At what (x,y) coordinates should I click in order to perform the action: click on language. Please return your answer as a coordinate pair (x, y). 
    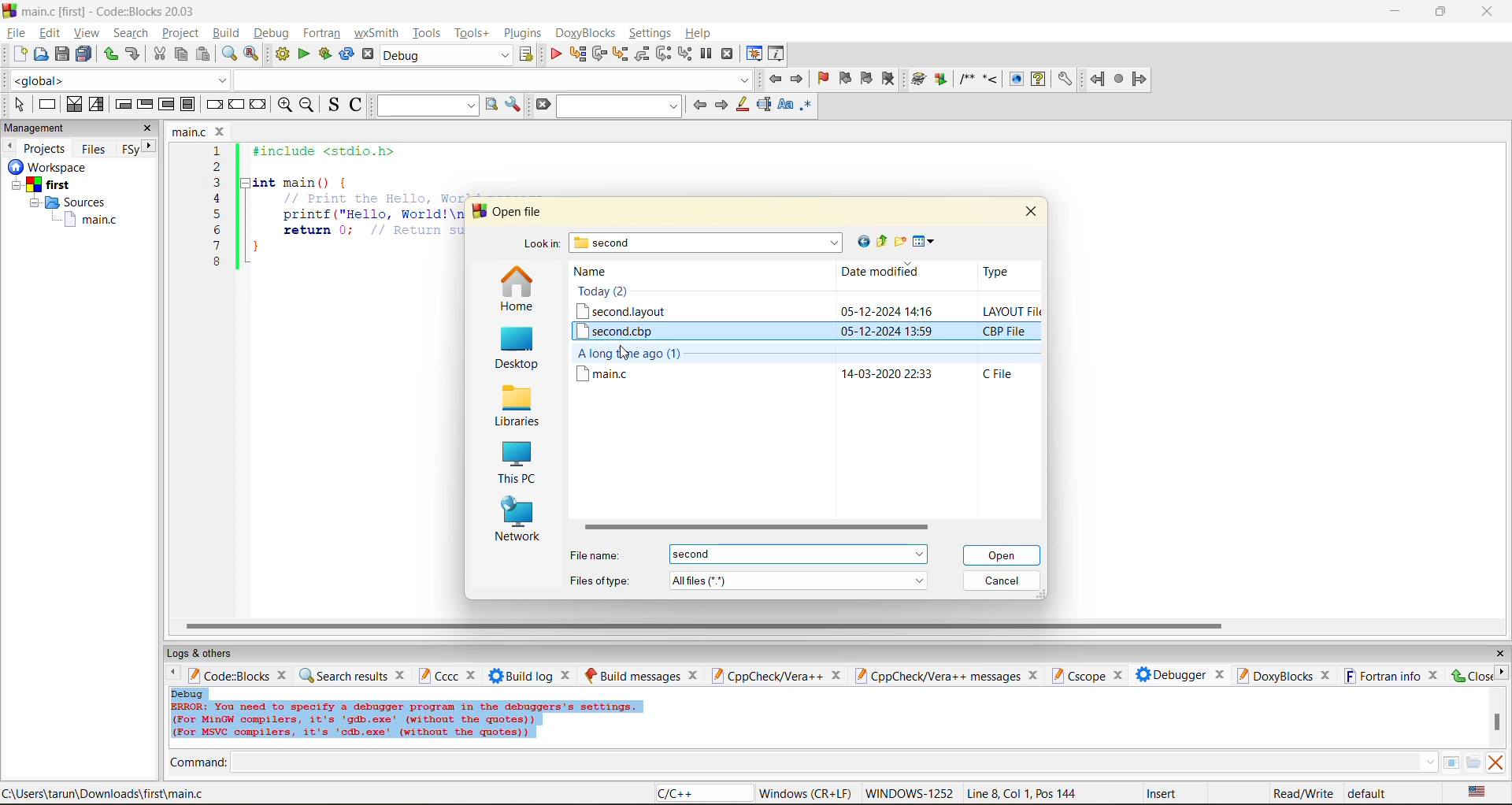
    Looking at the image, I should click on (702, 794).